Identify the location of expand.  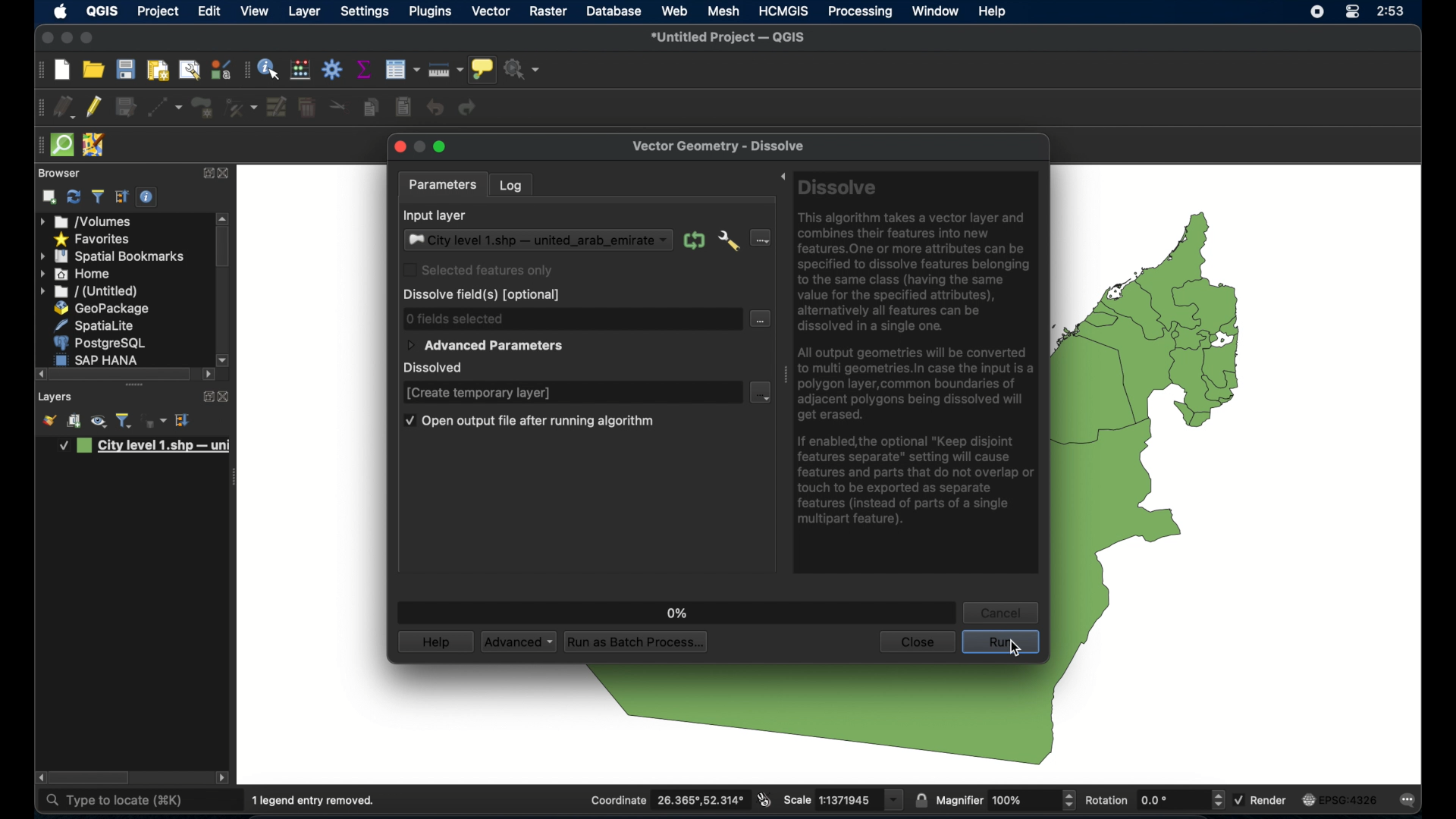
(782, 178).